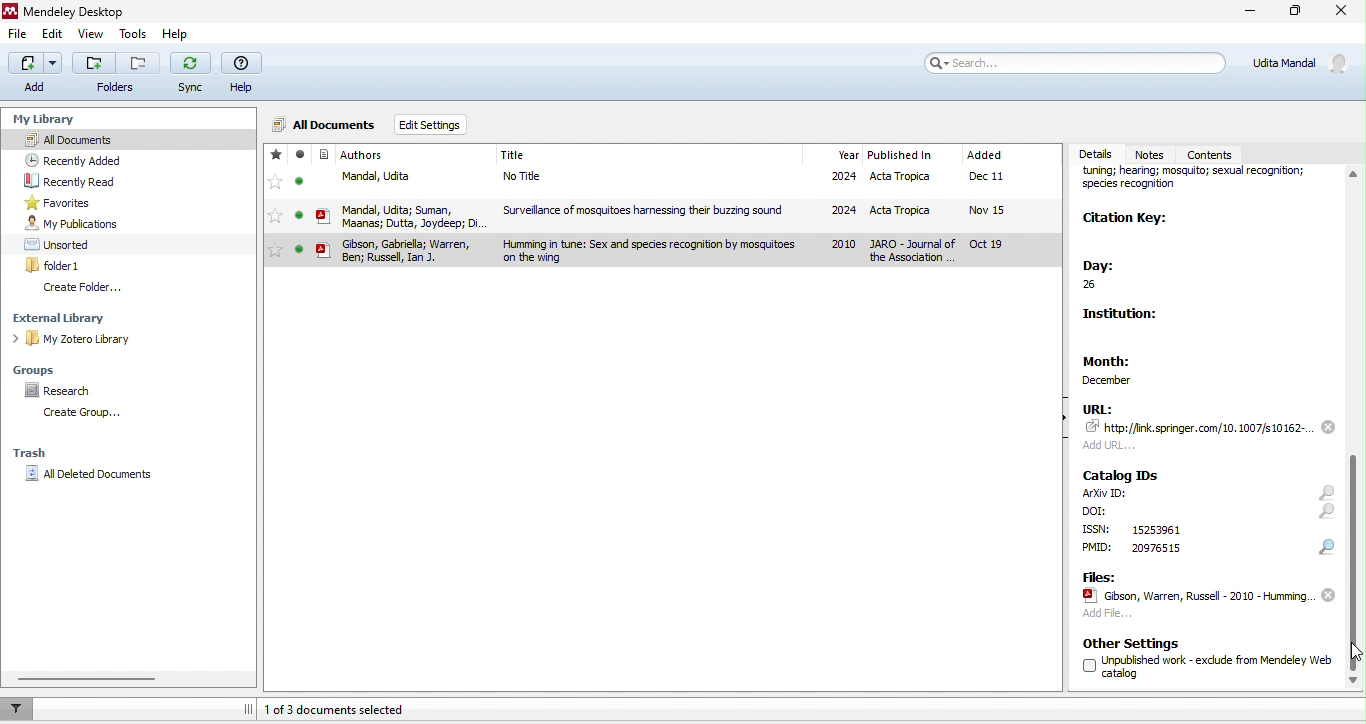 This screenshot has width=1366, height=724. What do you see at coordinates (73, 181) in the screenshot?
I see `recently read` at bounding box center [73, 181].